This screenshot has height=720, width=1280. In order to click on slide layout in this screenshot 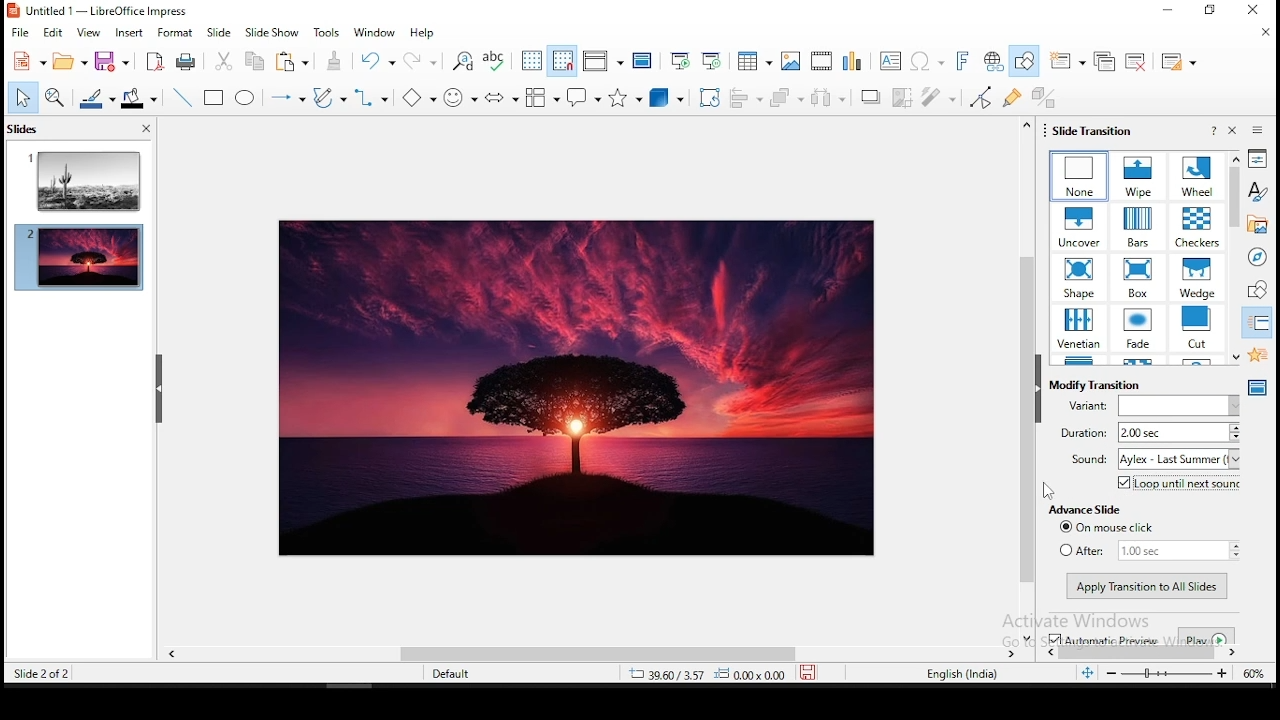, I will do `click(1179, 60)`.